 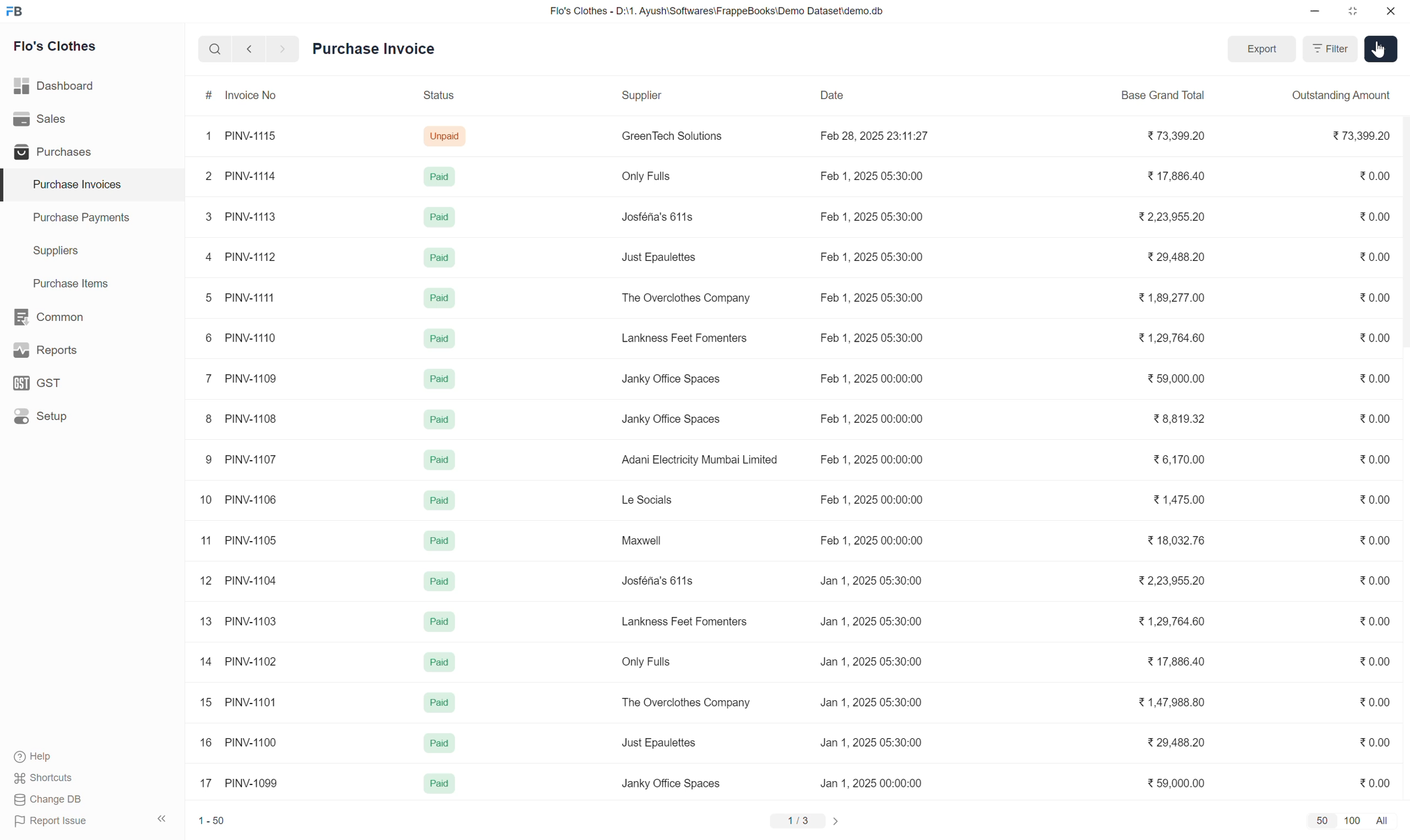 What do you see at coordinates (437, 781) in the screenshot?
I see `Paid` at bounding box center [437, 781].